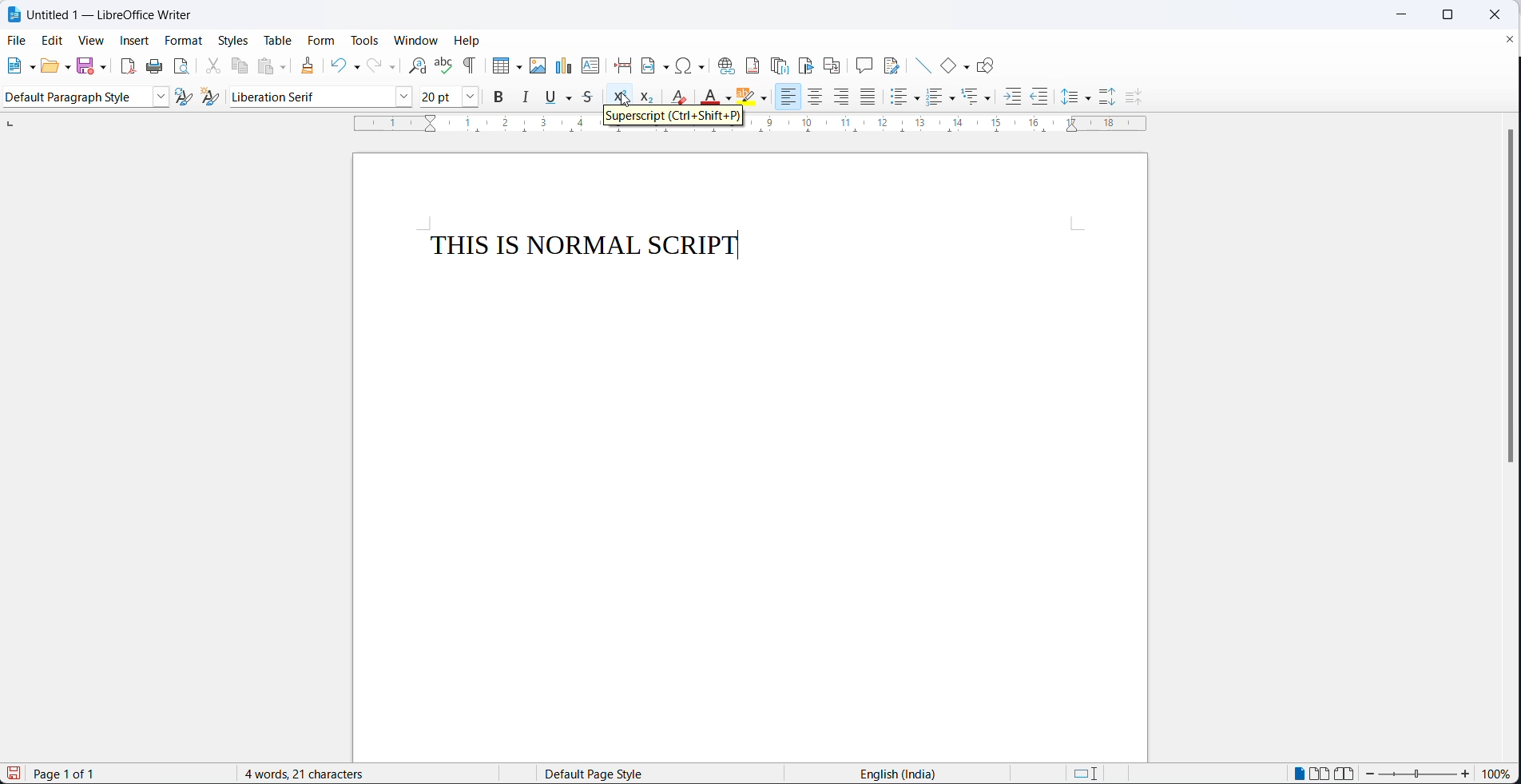 This screenshot has height=784, width=1521. Describe the element at coordinates (163, 97) in the screenshot. I see `paragraph style` at that location.